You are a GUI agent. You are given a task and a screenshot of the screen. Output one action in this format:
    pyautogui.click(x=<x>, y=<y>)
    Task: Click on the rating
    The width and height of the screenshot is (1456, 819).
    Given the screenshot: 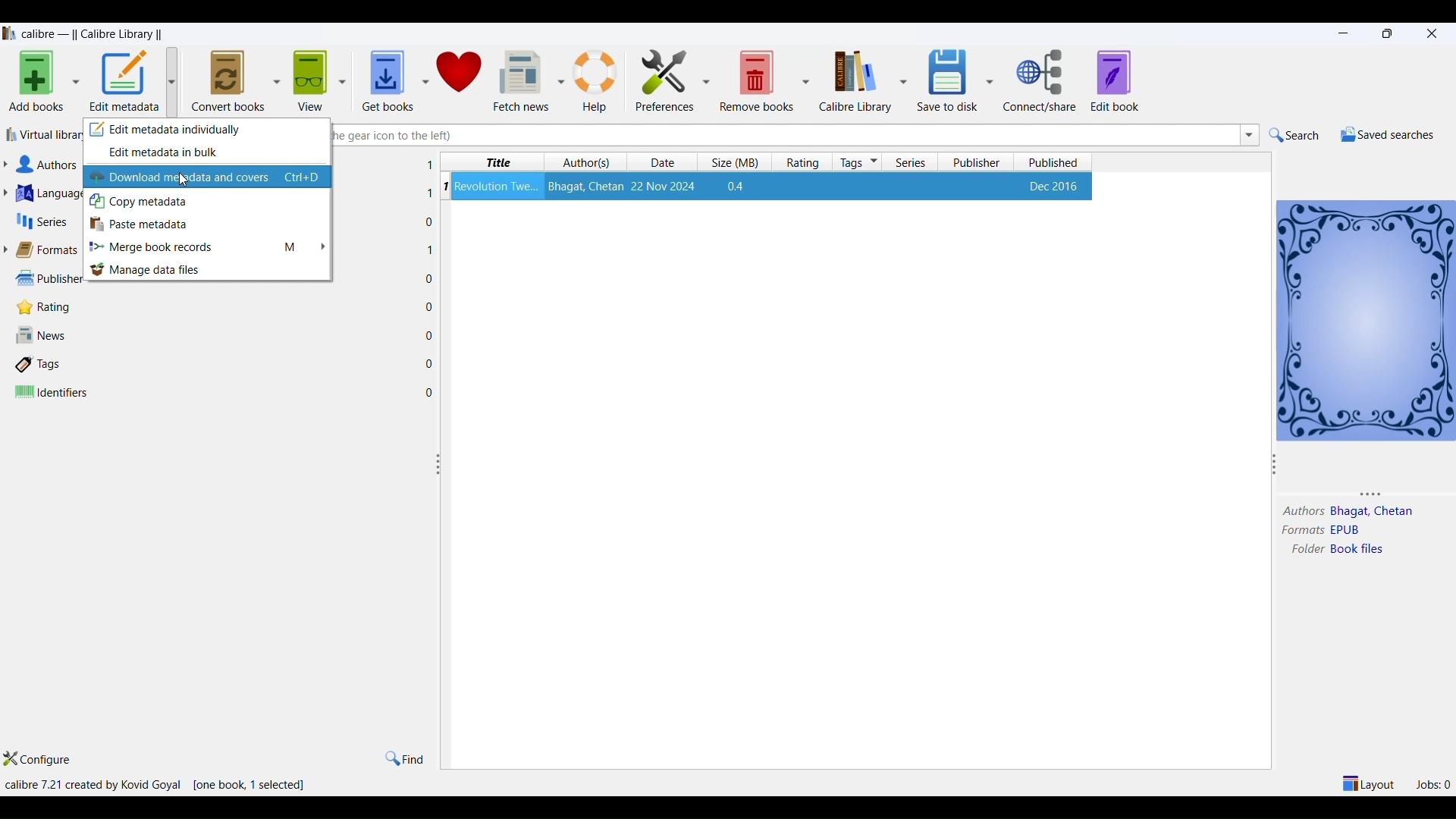 What is the action you would take?
    pyautogui.click(x=805, y=162)
    